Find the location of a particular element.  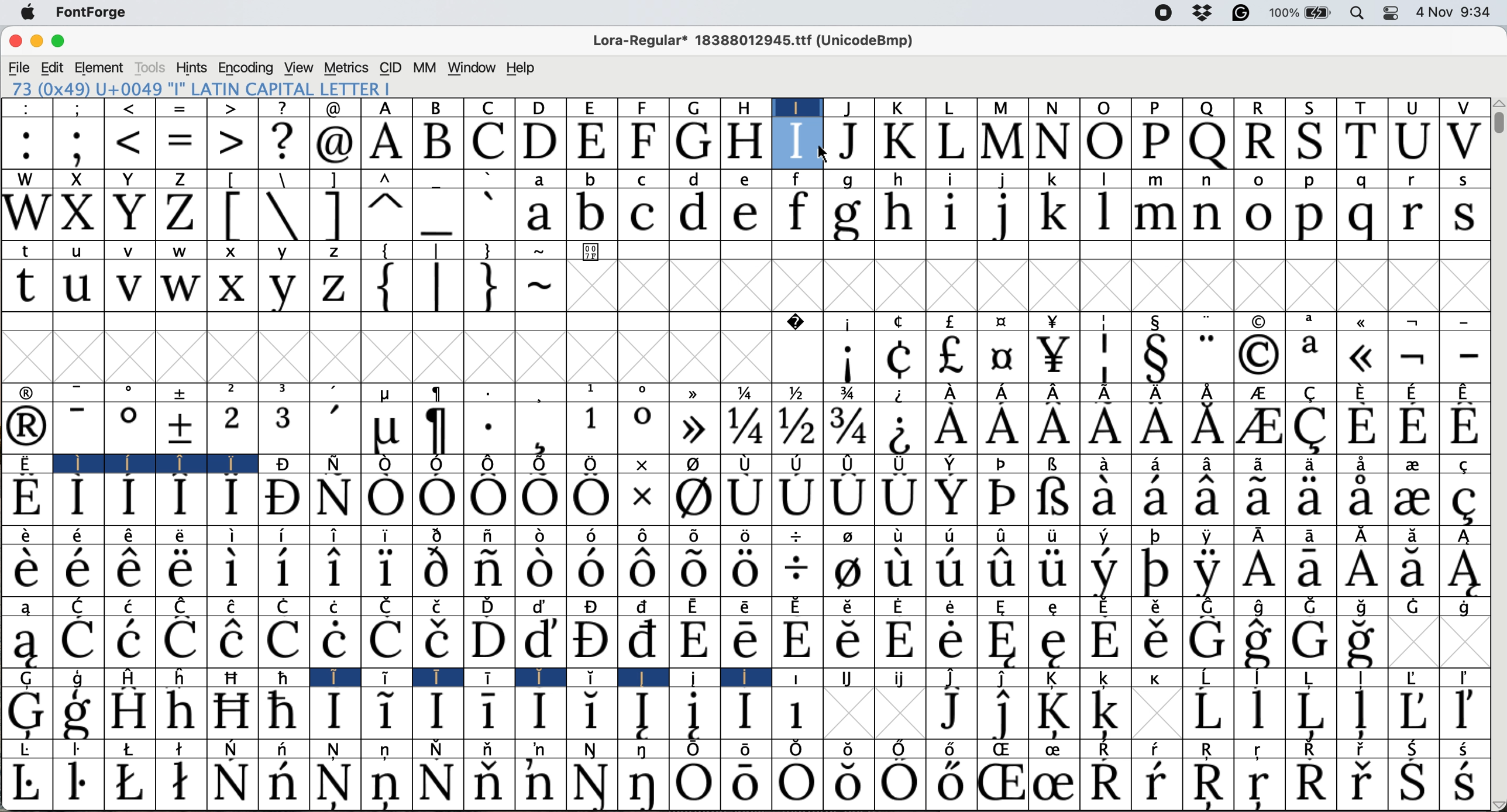

Symbol is located at coordinates (180, 570).